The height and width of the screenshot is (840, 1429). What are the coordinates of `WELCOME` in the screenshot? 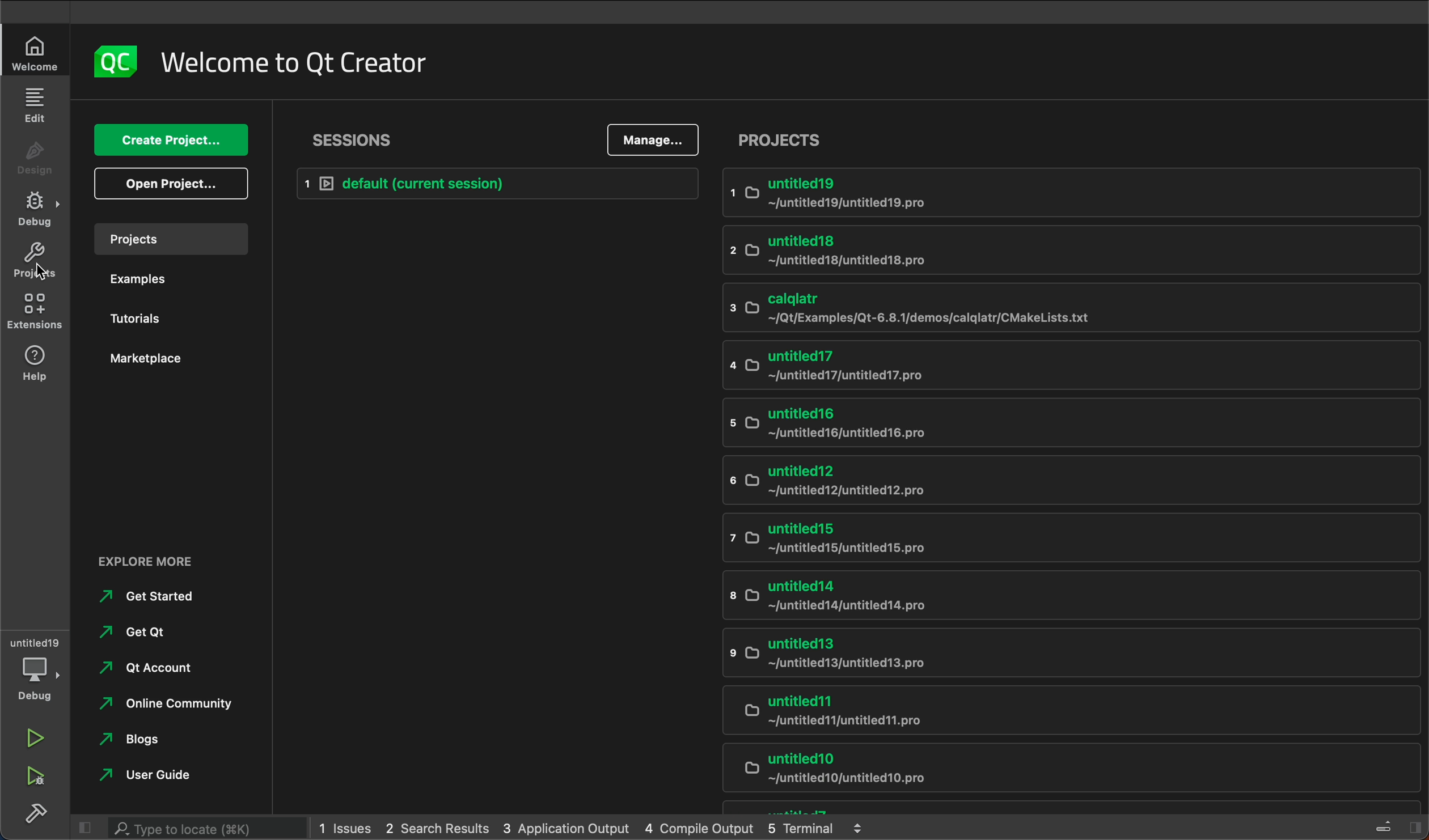 It's located at (36, 52).